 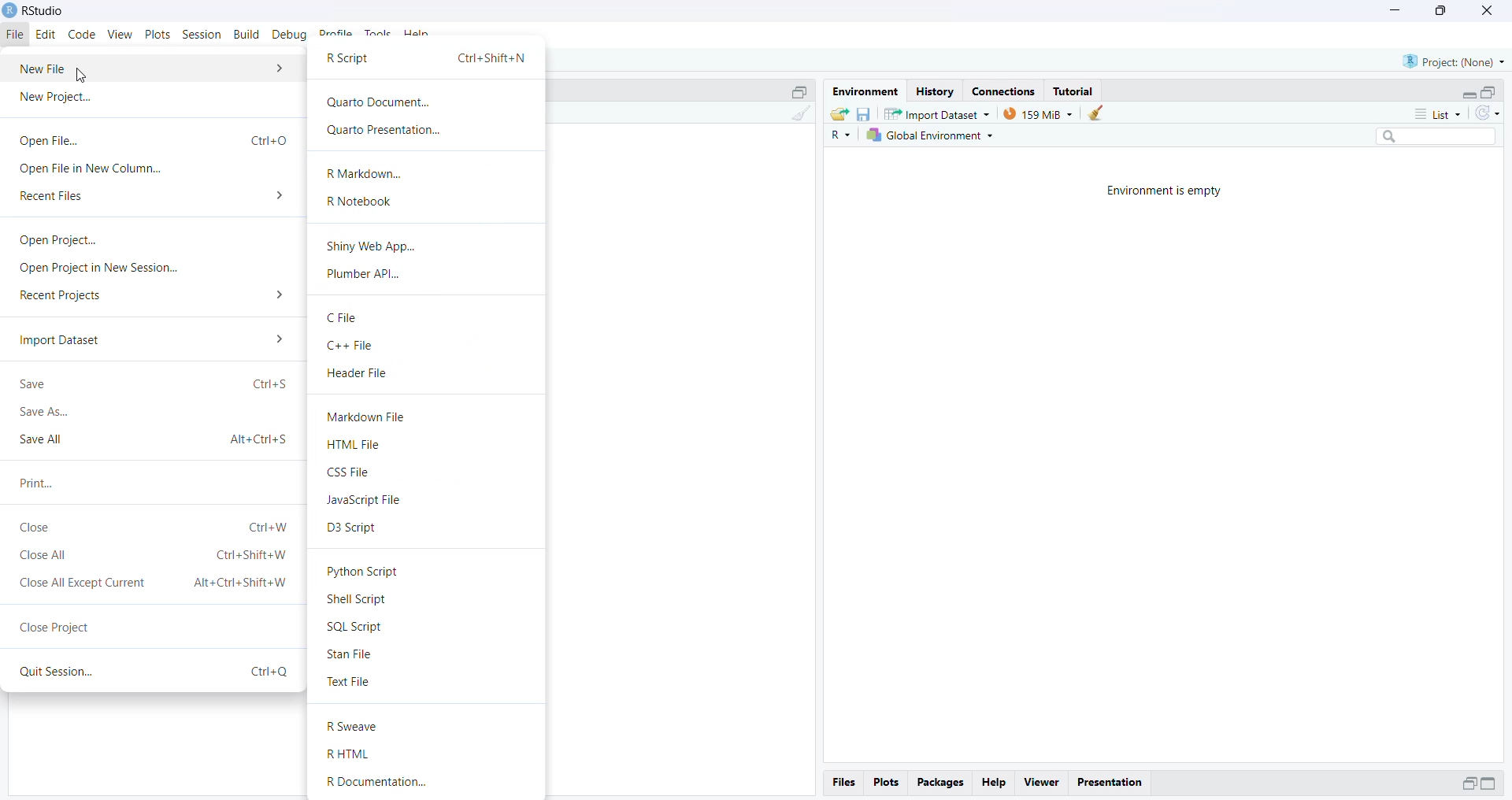 I want to click on search, so click(x=1430, y=139).